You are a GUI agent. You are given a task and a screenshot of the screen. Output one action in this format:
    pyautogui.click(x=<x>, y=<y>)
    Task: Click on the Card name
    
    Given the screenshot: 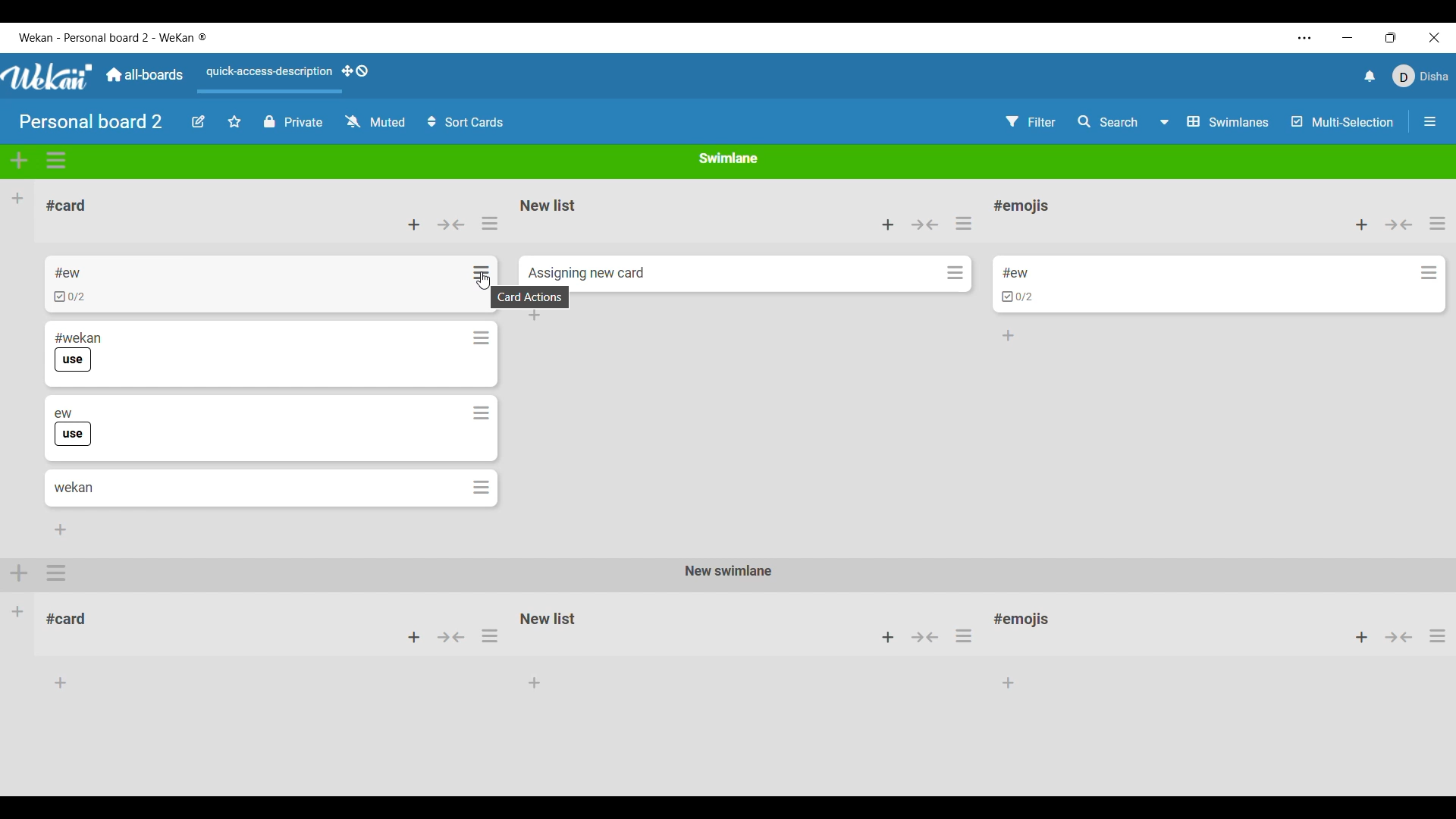 What is the action you would take?
    pyautogui.click(x=1015, y=273)
    